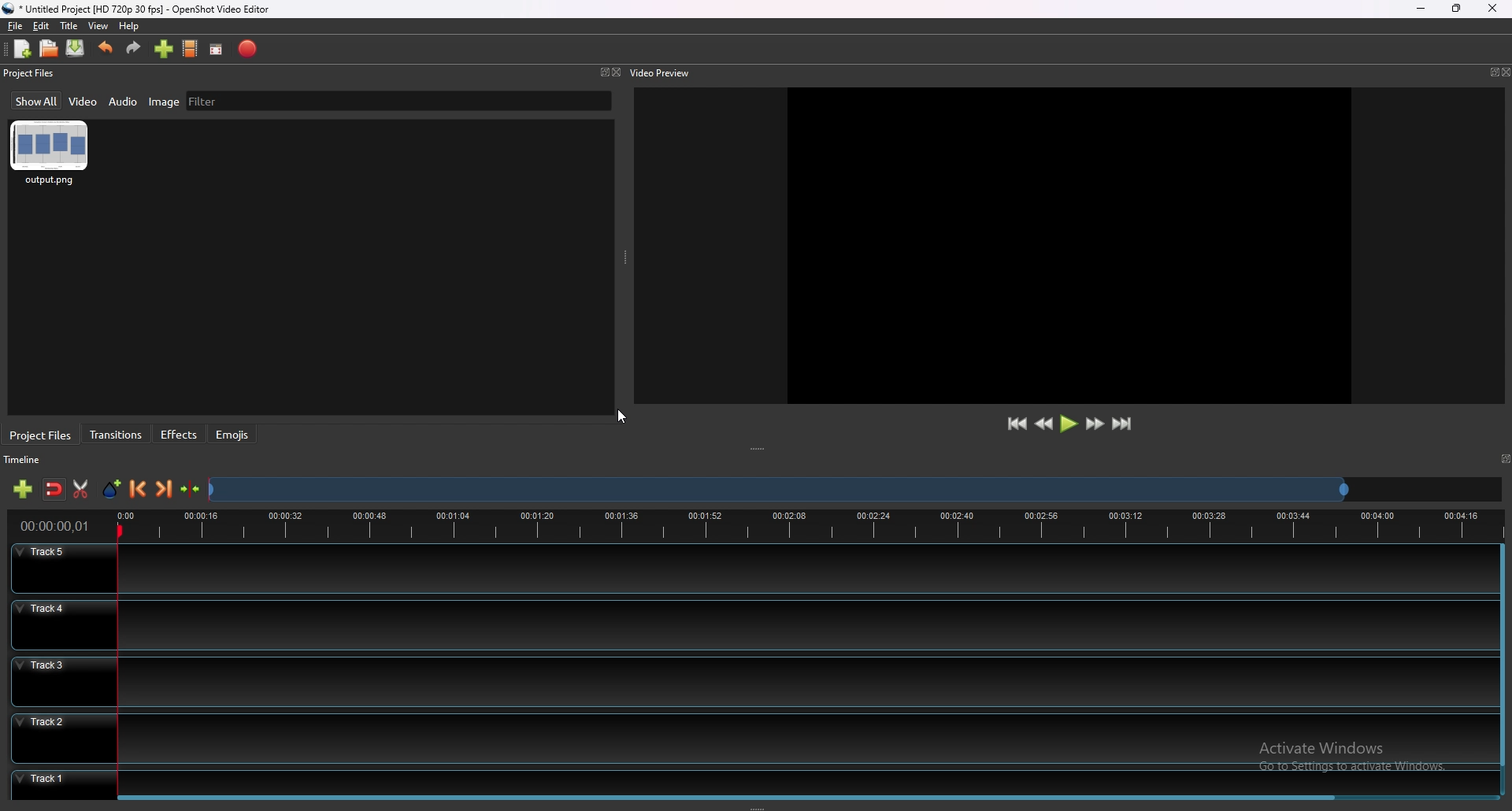 The height and width of the screenshot is (811, 1512). Describe the element at coordinates (124, 102) in the screenshot. I see `audio` at that location.